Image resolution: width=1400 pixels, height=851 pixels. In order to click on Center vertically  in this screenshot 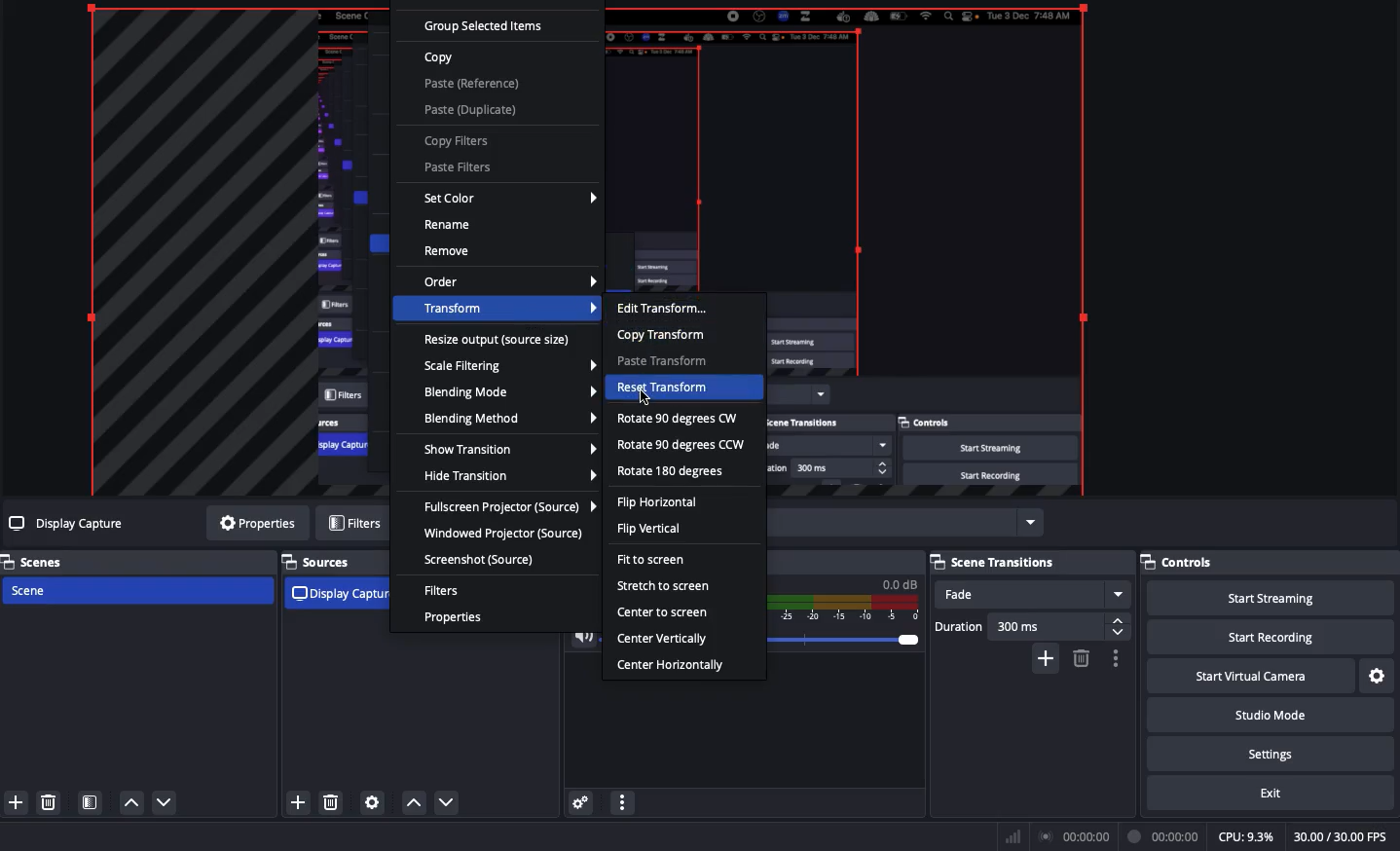, I will do `click(665, 638)`.